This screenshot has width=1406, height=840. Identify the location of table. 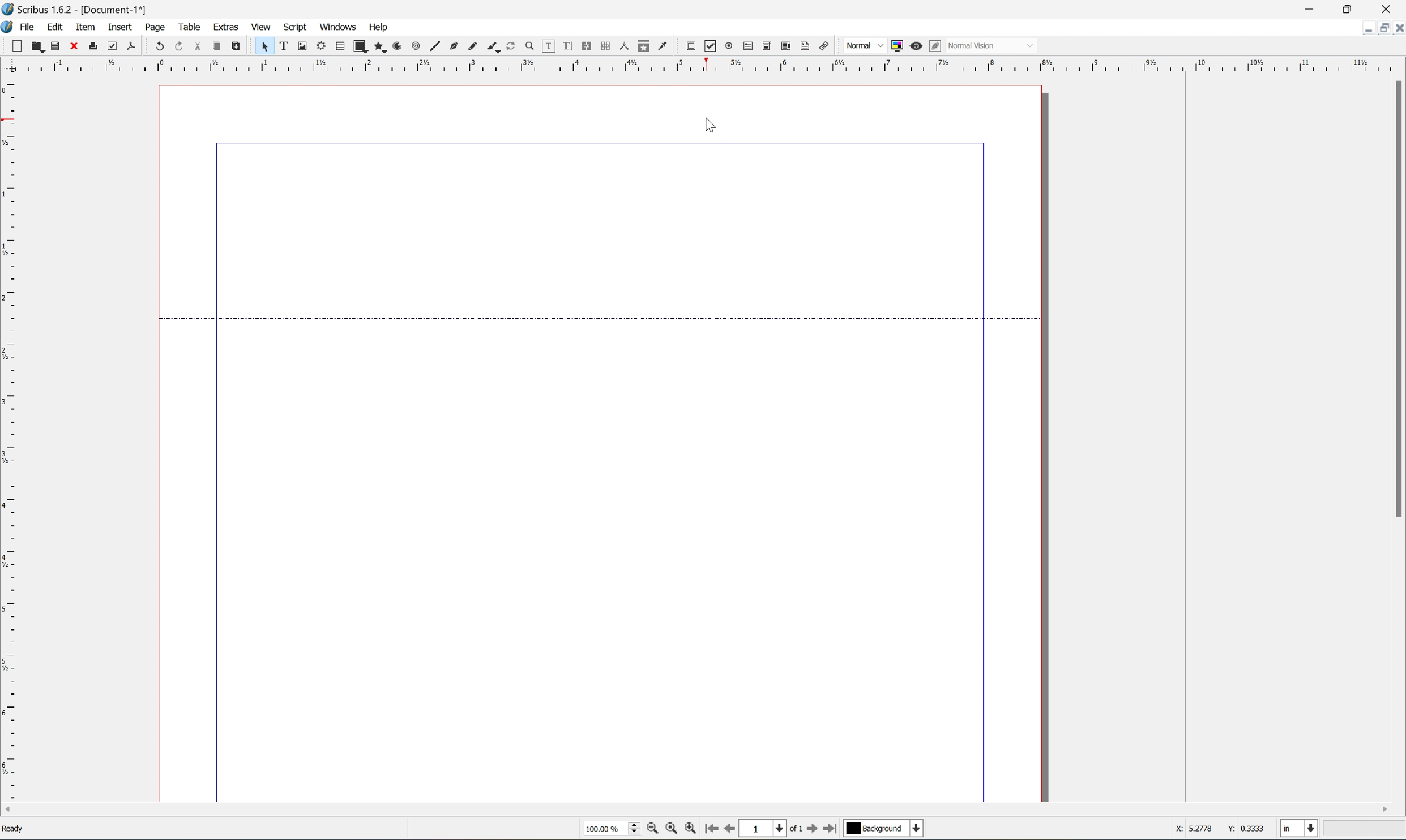
(340, 48).